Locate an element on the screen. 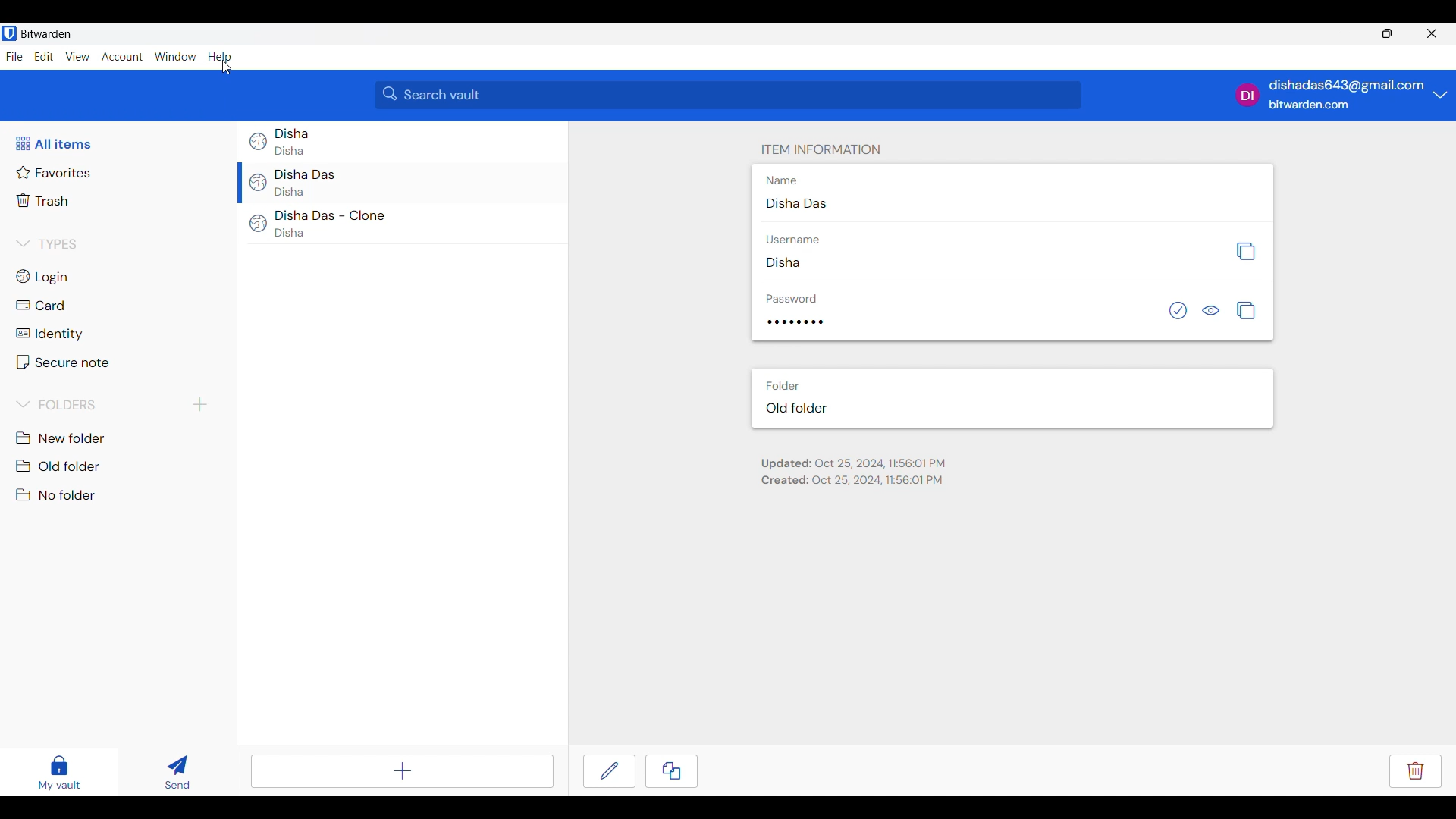  Trash is located at coordinates (44, 200).